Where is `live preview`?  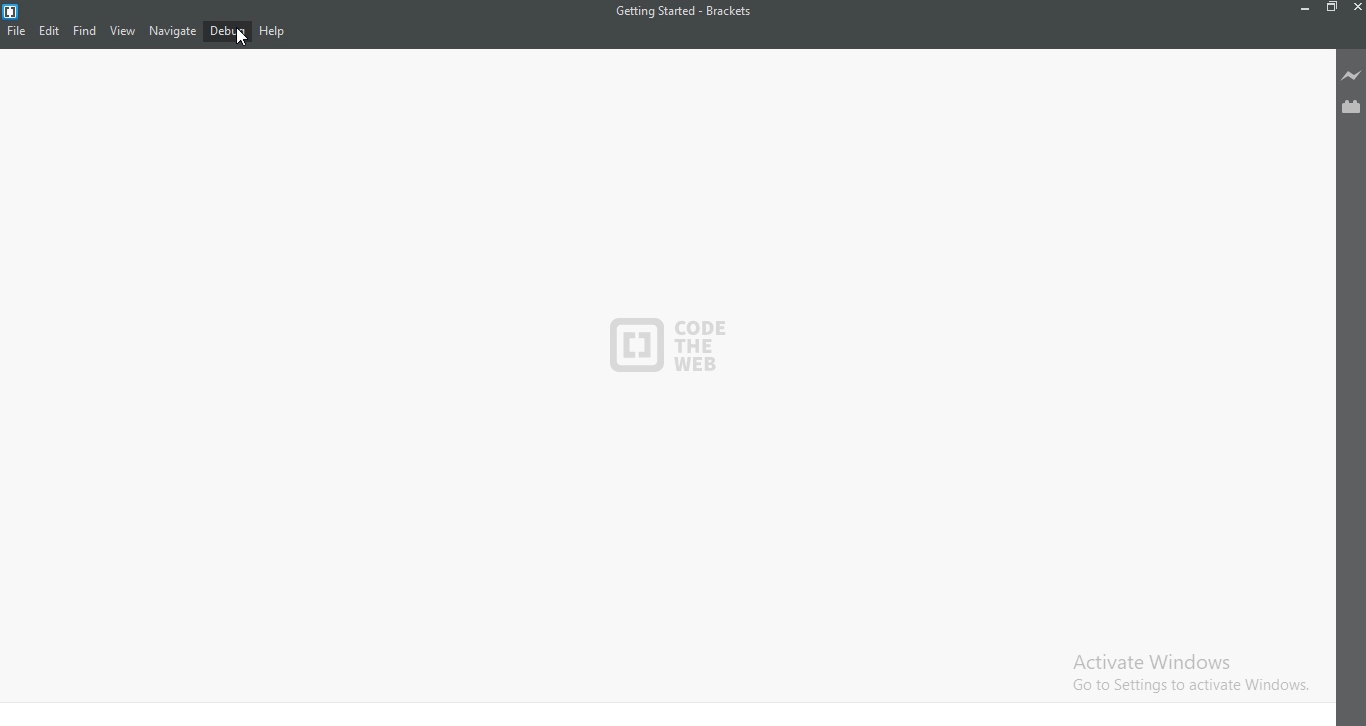
live preview is located at coordinates (1350, 75).